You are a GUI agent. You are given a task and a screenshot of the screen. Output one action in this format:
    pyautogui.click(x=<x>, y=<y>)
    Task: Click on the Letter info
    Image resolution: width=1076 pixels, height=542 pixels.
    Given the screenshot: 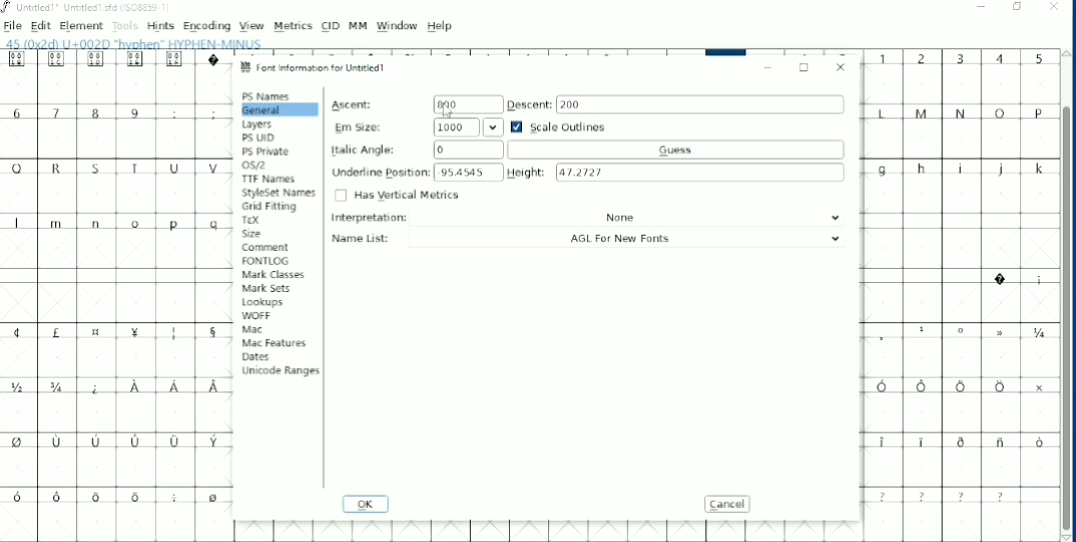 What is the action you would take?
    pyautogui.click(x=141, y=43)
    